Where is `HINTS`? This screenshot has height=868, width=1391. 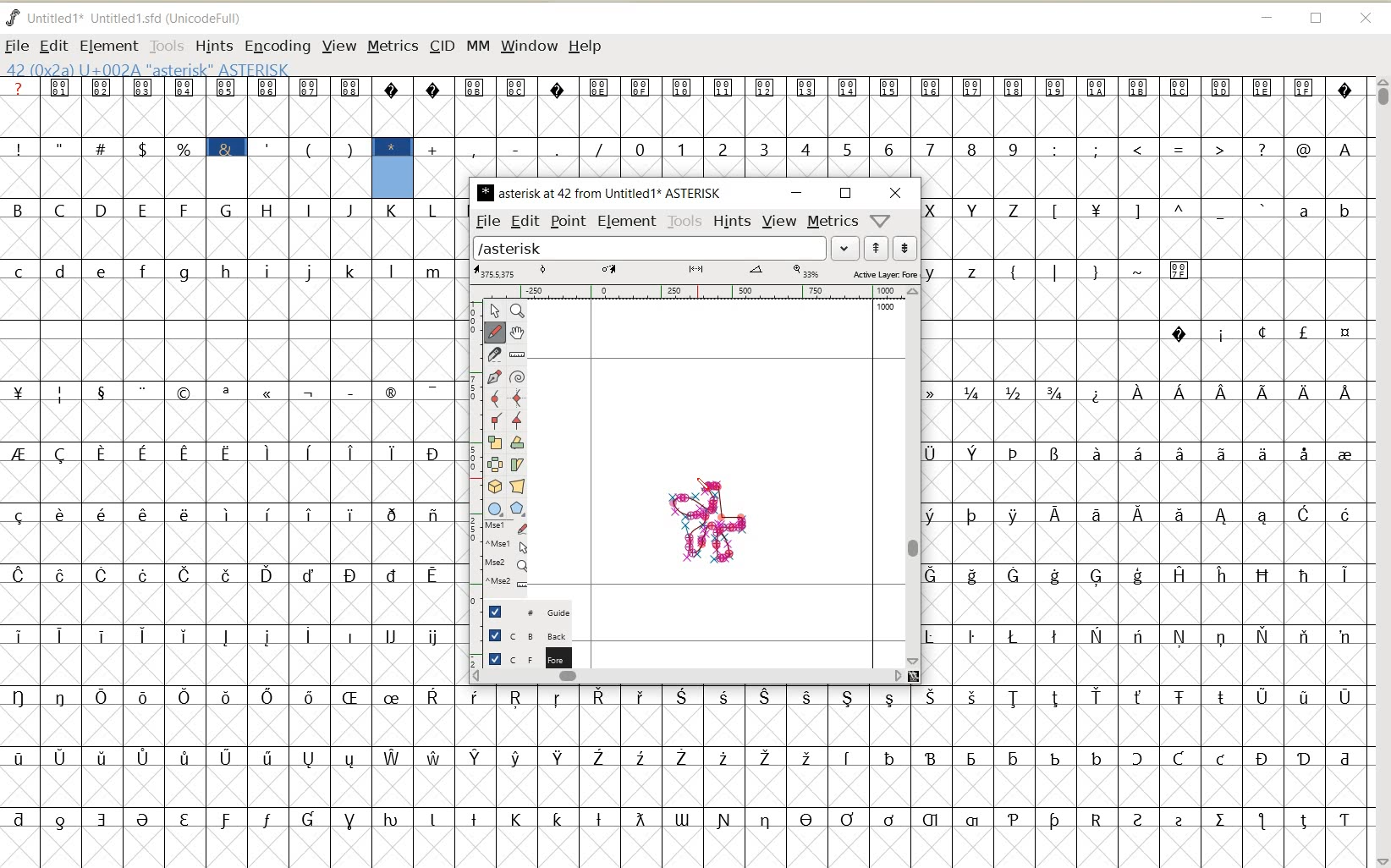
HINTS is located at coordinates (733, 222).